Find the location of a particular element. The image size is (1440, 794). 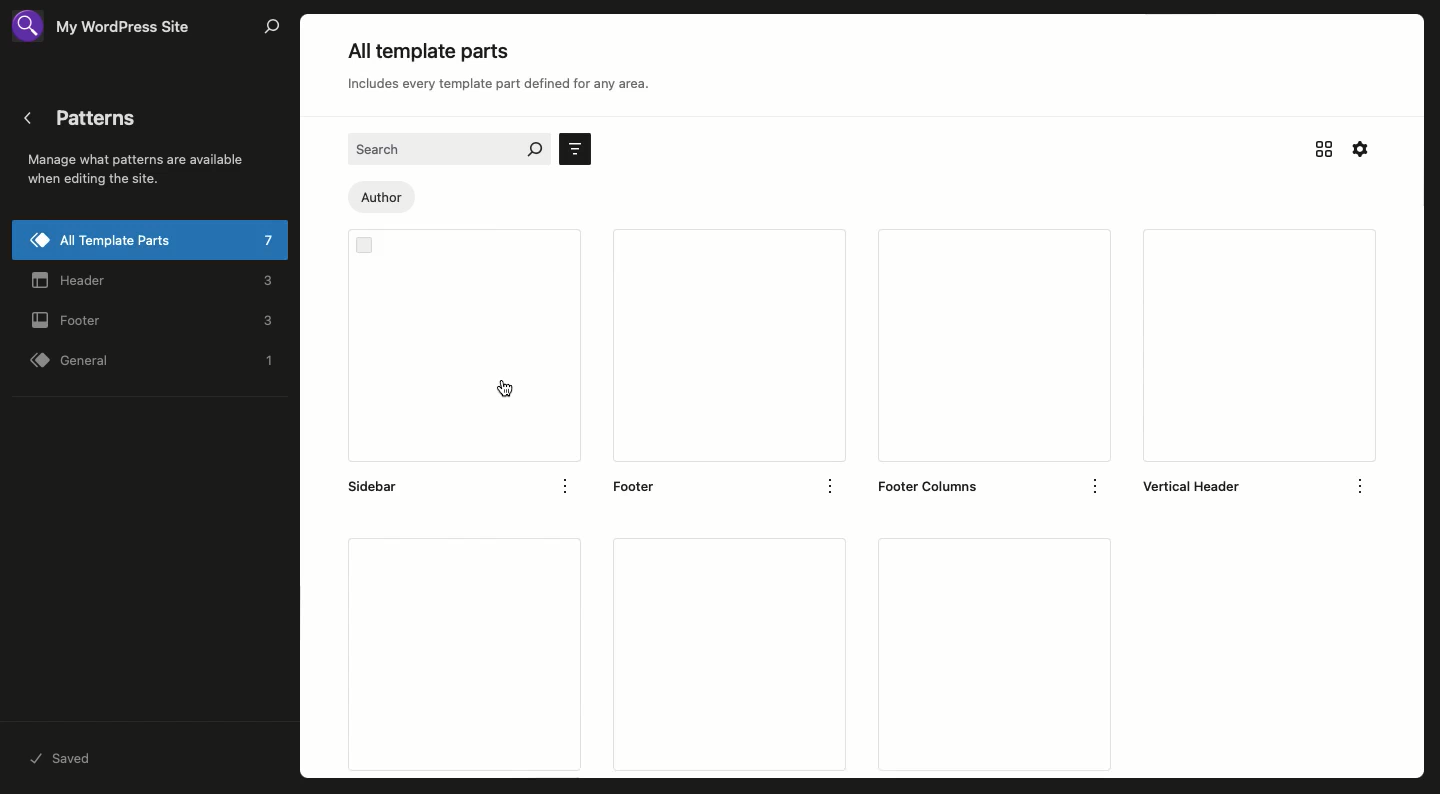

General  is located at coordinates (157, 361).